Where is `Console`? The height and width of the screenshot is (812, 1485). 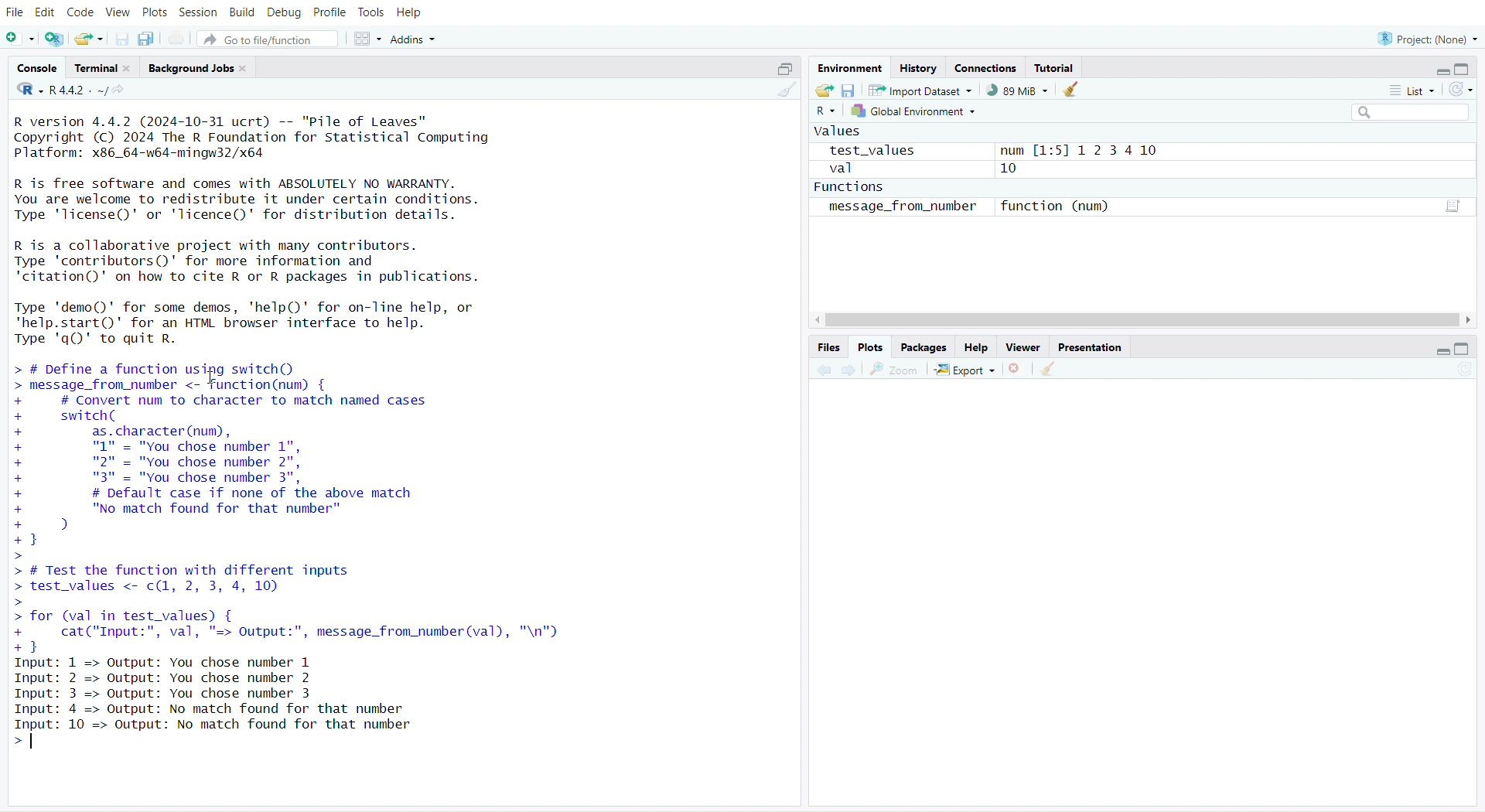
Console is located at coordinates (37, 69).